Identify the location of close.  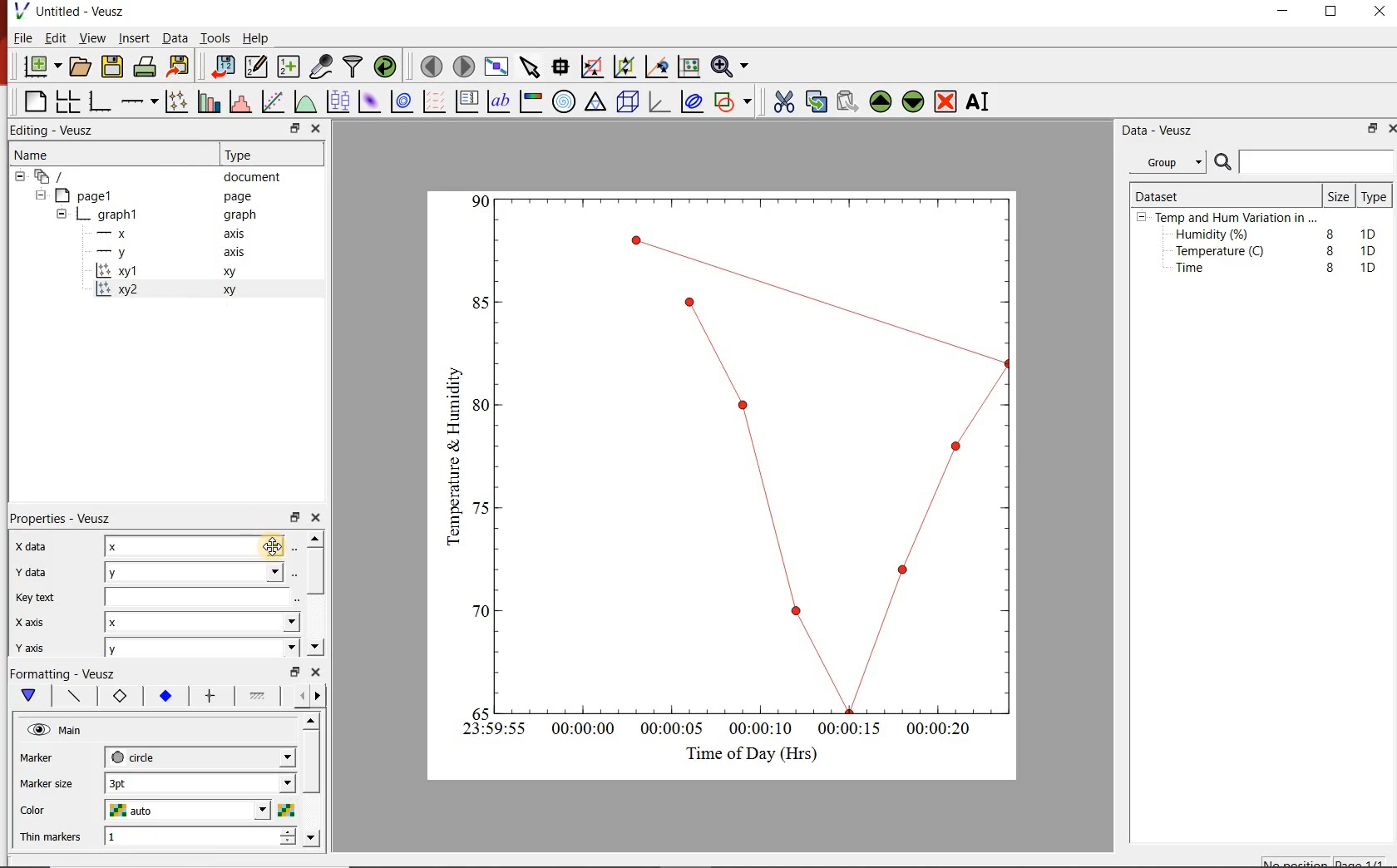
(321, 518).